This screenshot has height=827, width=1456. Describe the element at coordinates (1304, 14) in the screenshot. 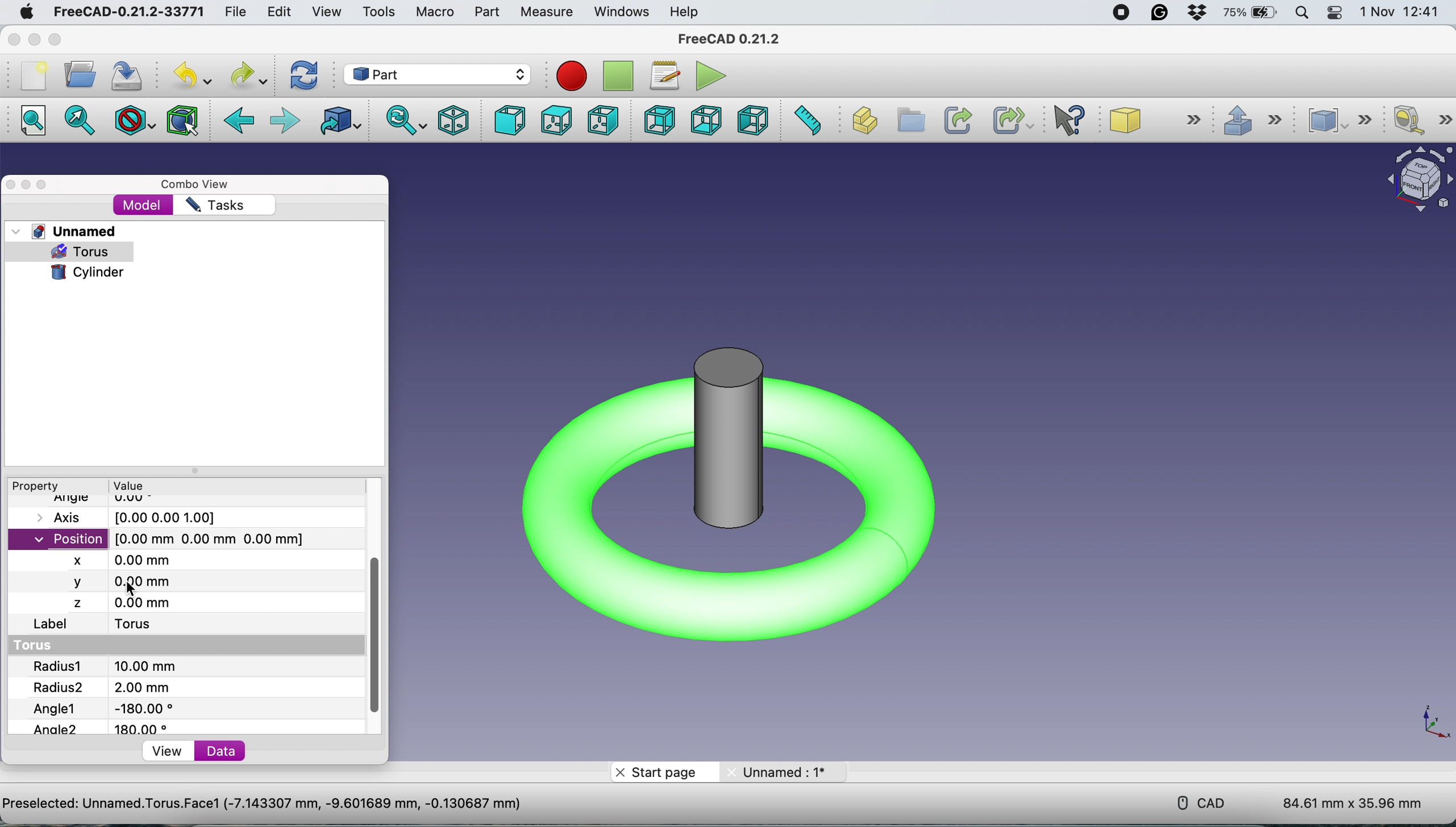

I see `spotlight search` at that location.